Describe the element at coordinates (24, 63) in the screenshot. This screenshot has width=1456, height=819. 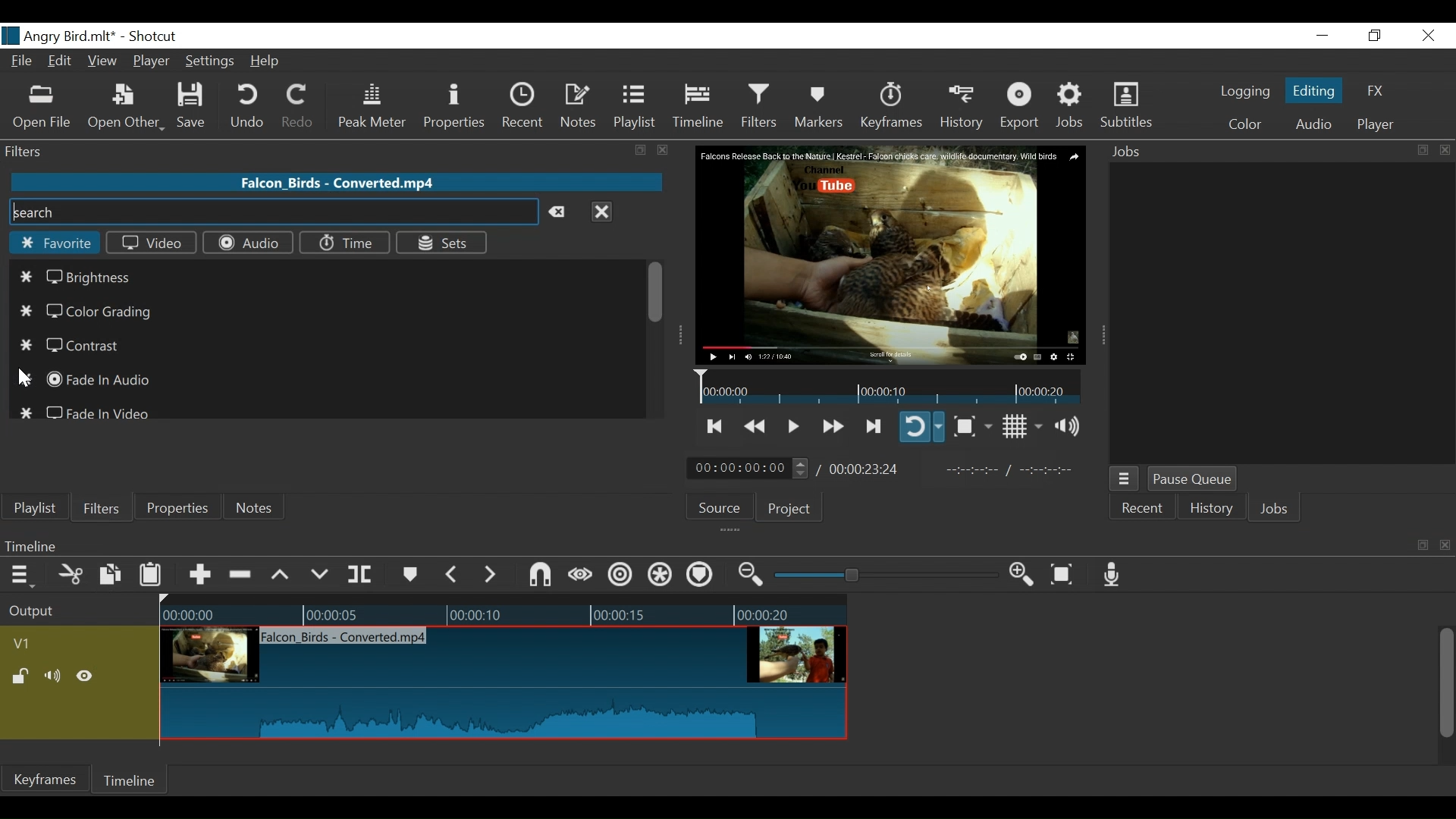
I see `File Name` at that location.